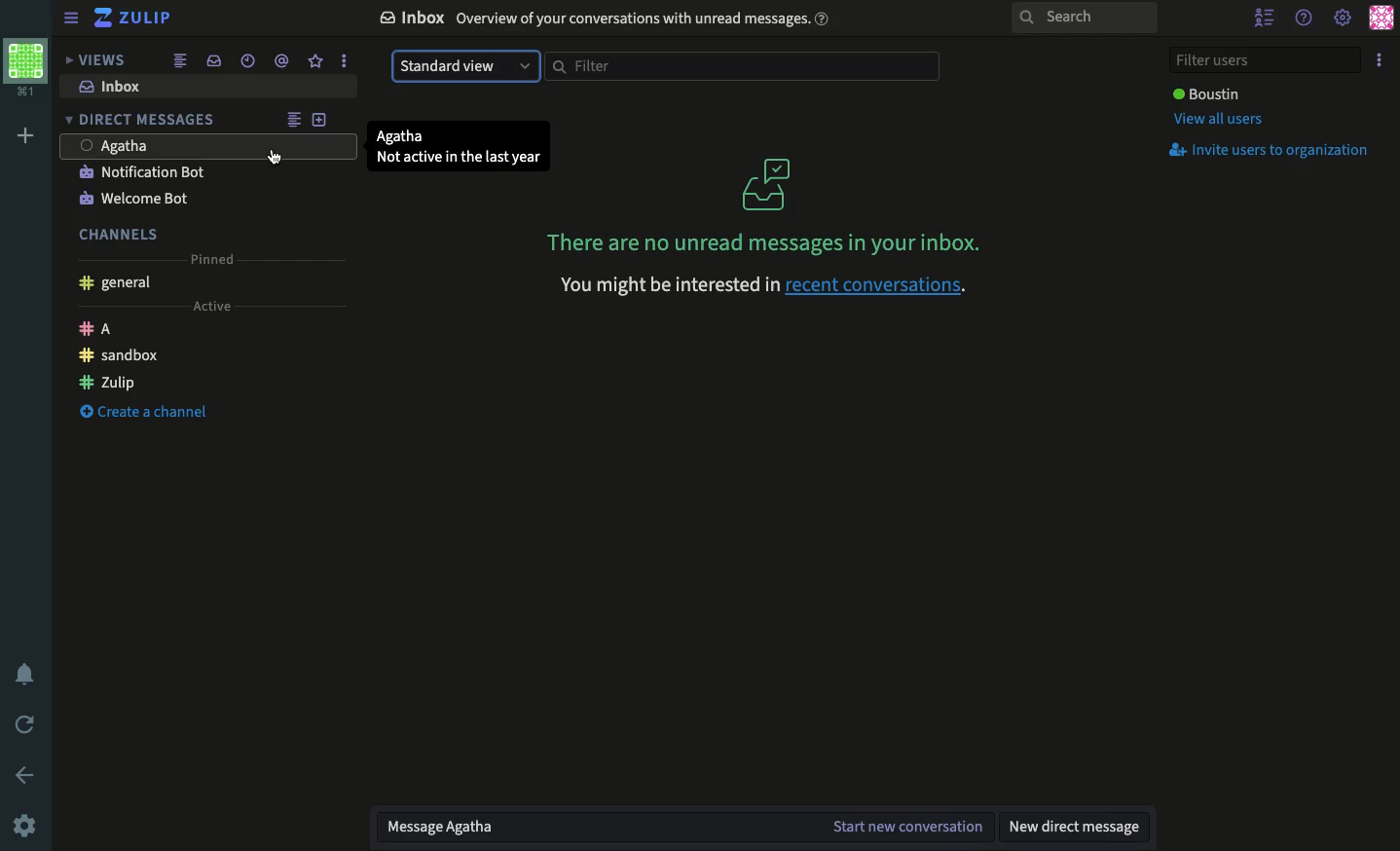 This screenshot has height=851, width=1400. I want to click on Hide menu, so click(71, 18).